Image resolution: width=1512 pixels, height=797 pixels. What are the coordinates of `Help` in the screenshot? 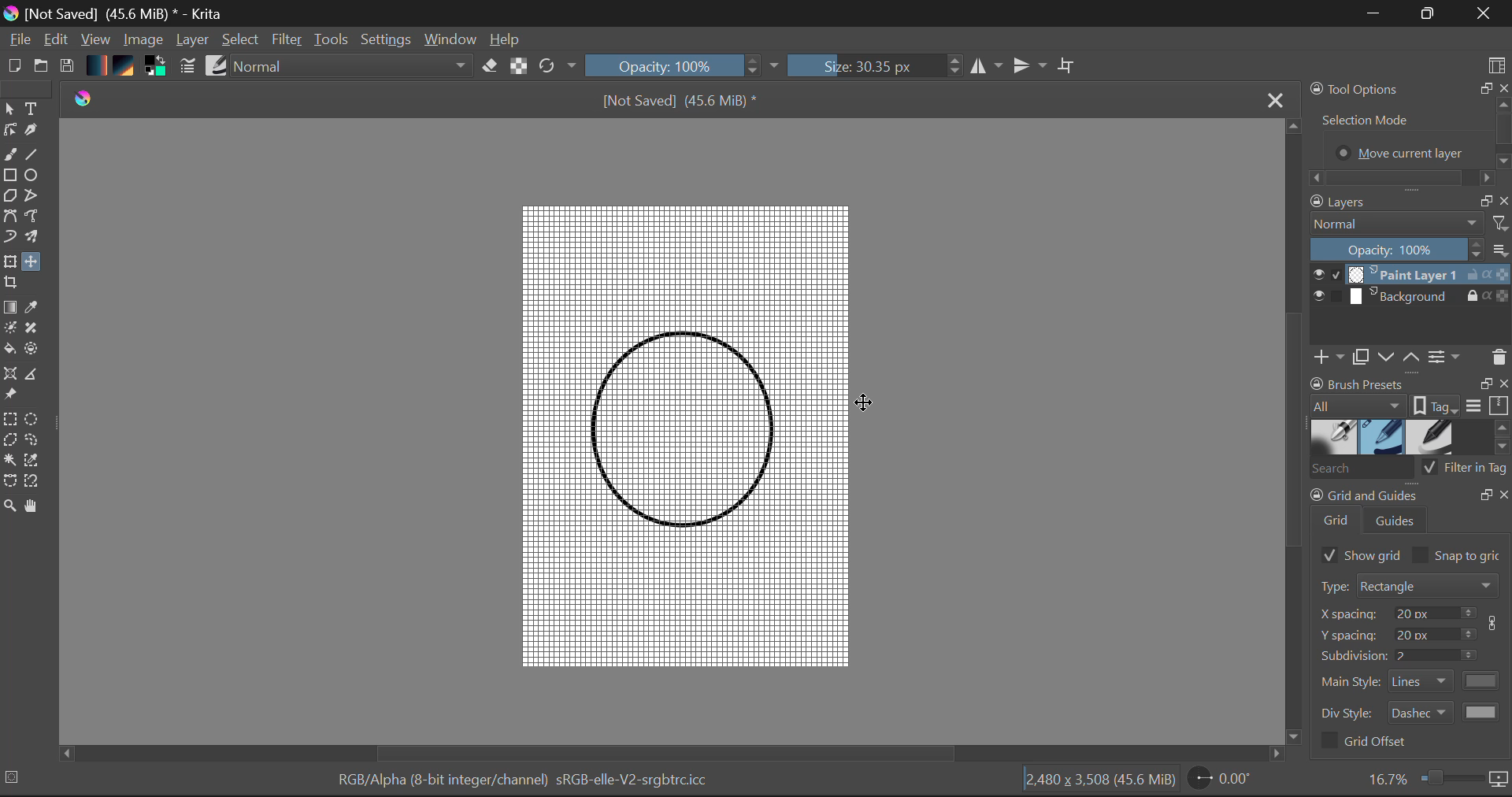 It's located at (509, 39).